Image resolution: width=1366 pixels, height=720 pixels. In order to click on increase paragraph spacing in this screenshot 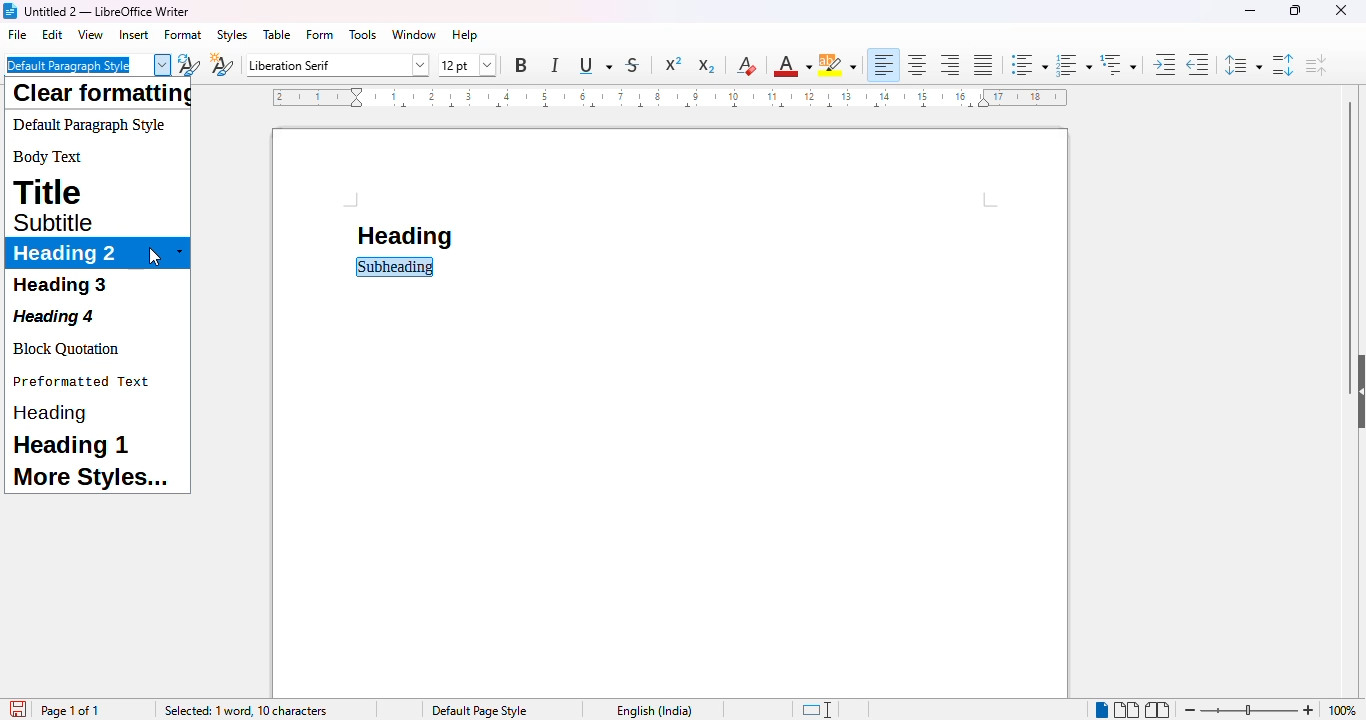, I will do `click(1283, 65)`.